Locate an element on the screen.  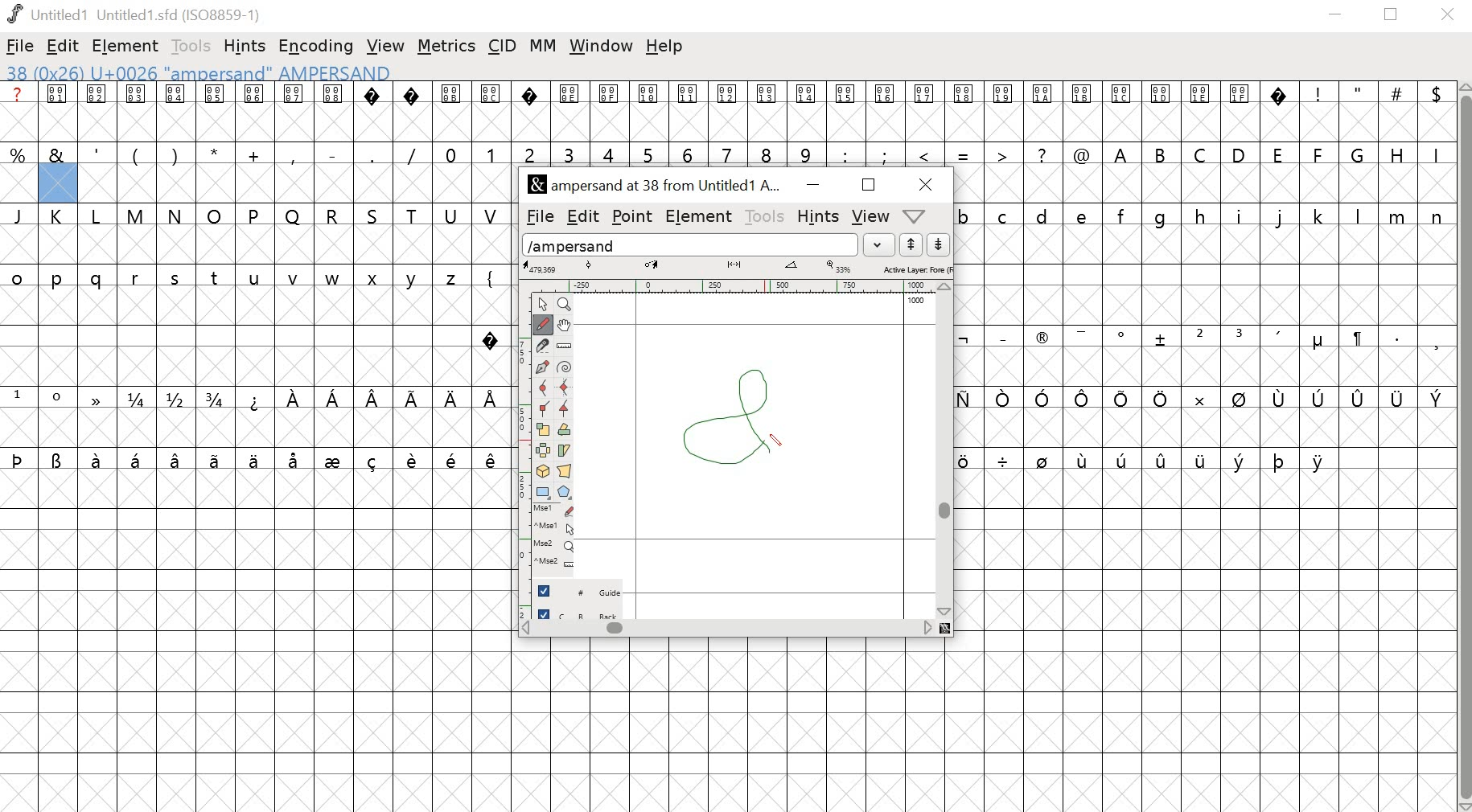
cursor destination coordinate is located at coordinates (654, 265).